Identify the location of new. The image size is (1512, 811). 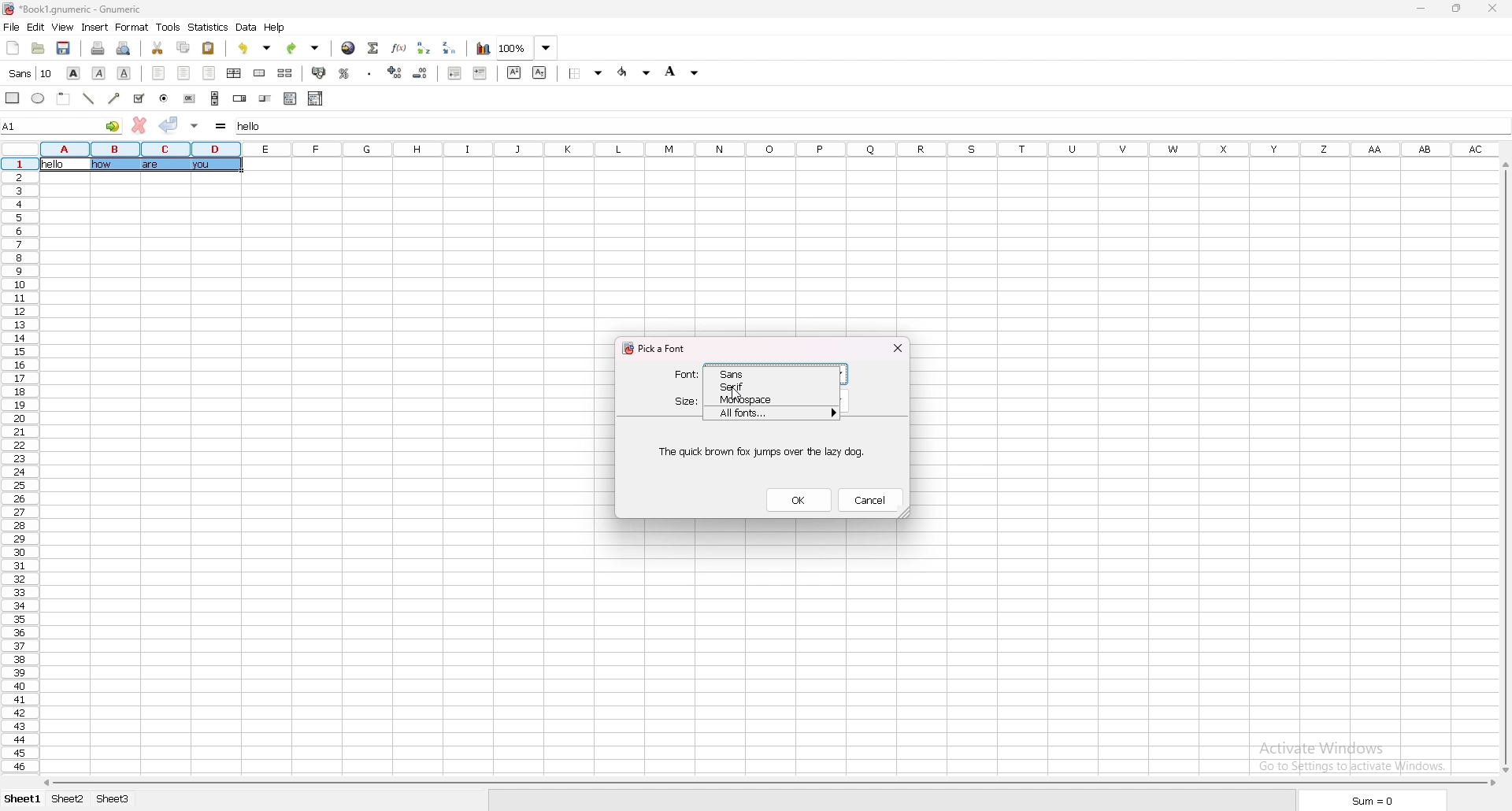
(12, 48).